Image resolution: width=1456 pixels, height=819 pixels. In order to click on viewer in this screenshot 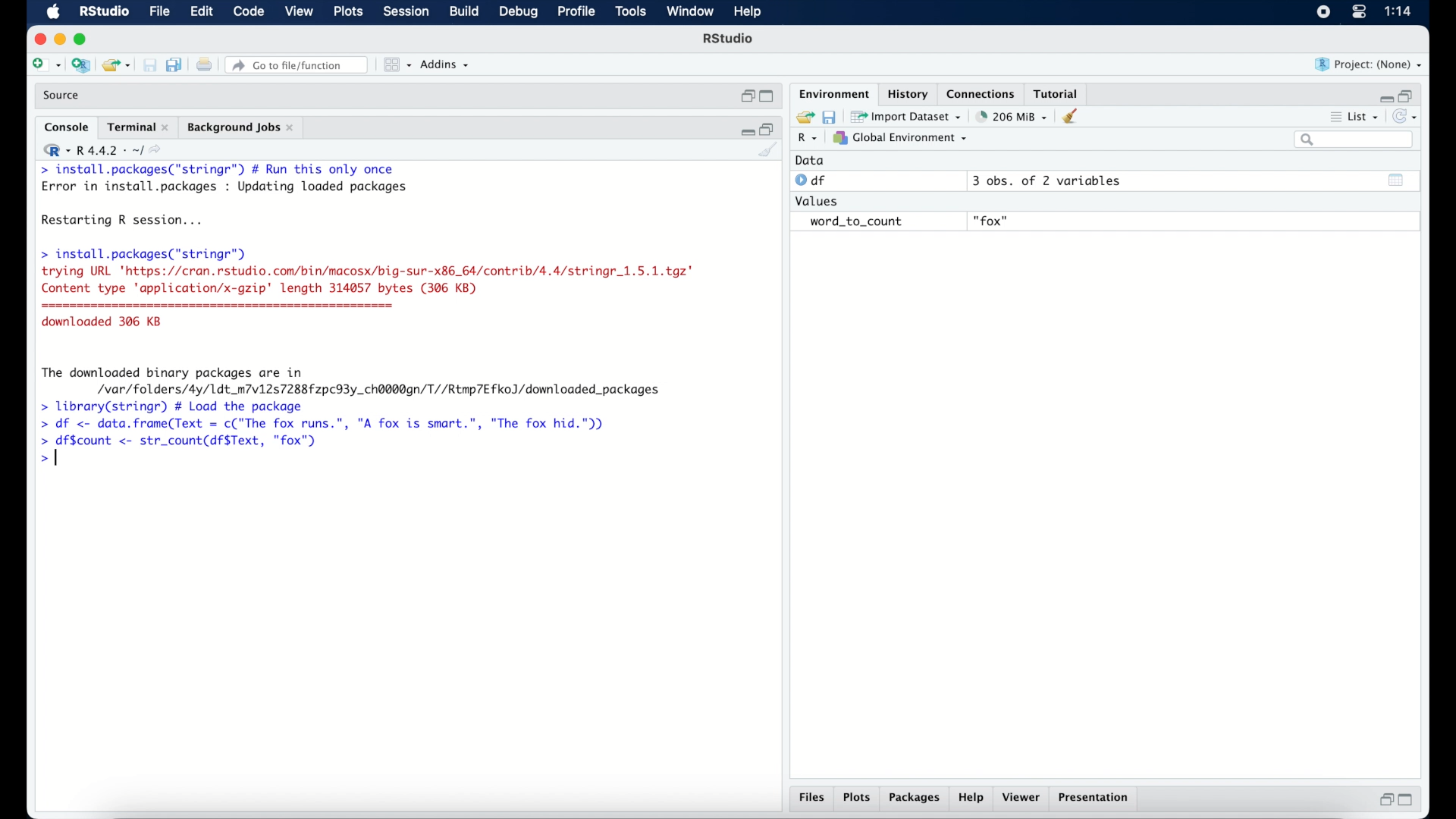, I will do `click(1022, 798)`.